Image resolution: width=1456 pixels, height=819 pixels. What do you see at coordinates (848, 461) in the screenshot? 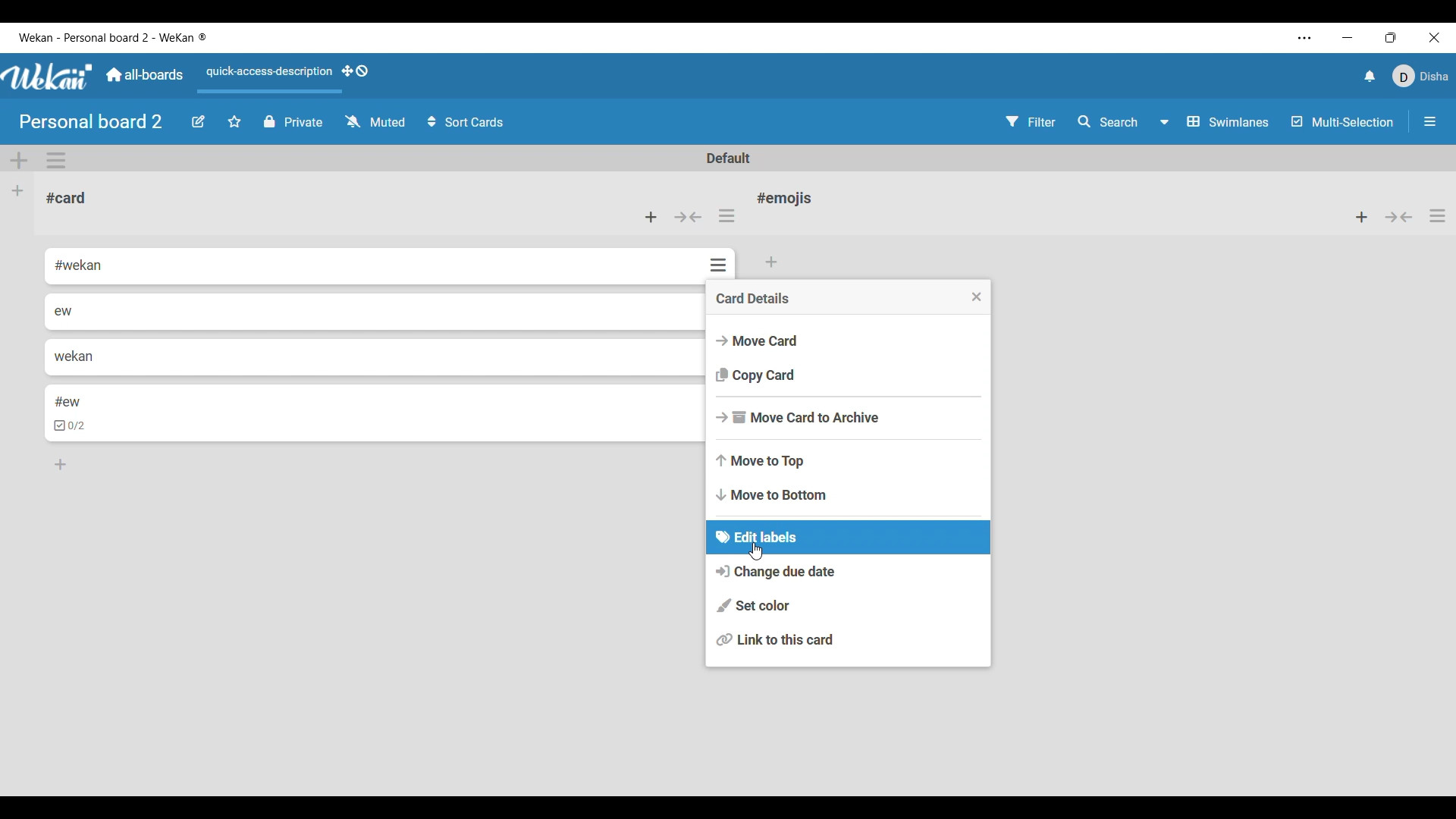
I see `Move to top` at bounding box center [848, 461].